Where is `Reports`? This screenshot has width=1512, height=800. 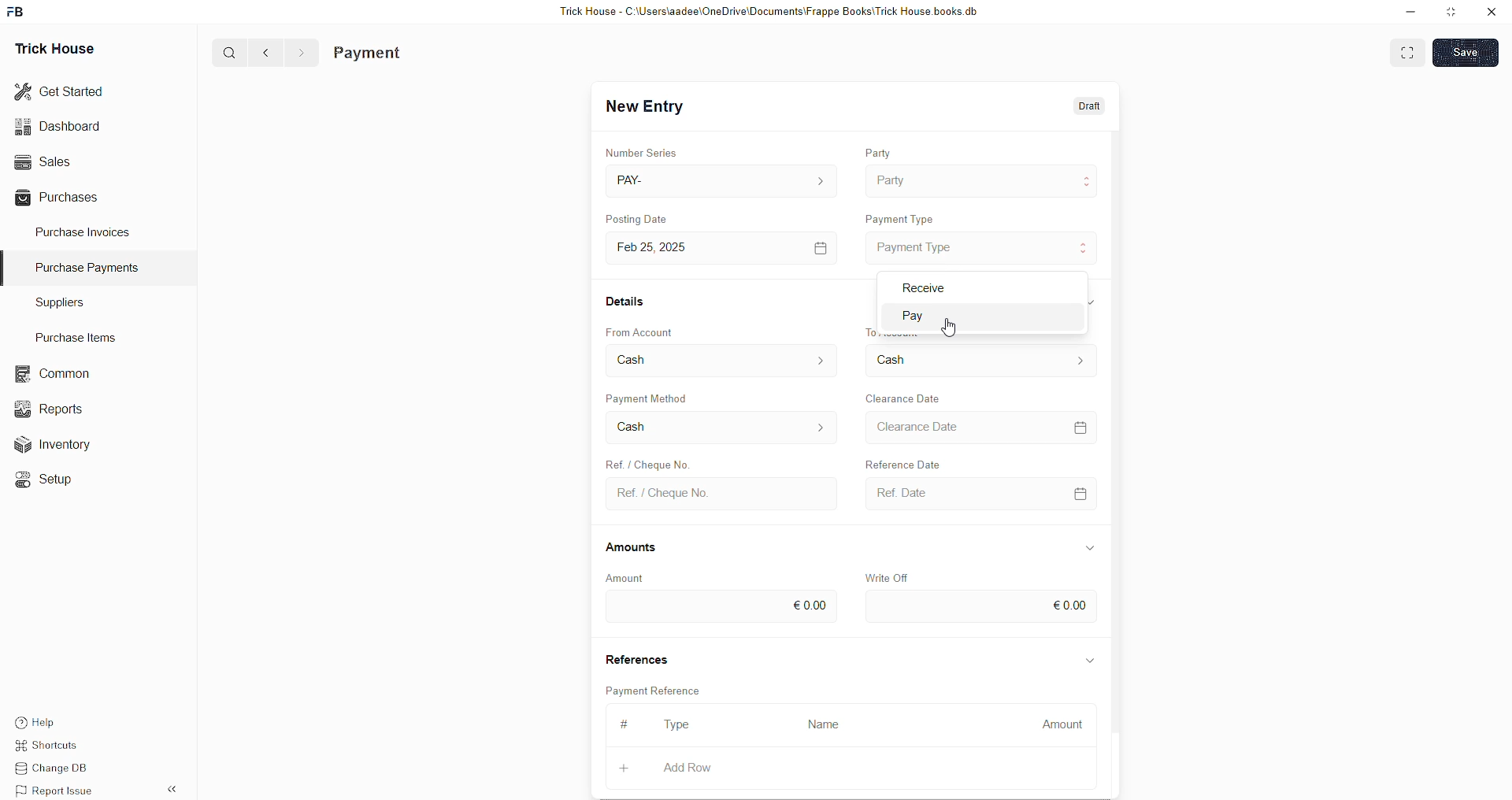
Reports is located at coordinates (54, 407).